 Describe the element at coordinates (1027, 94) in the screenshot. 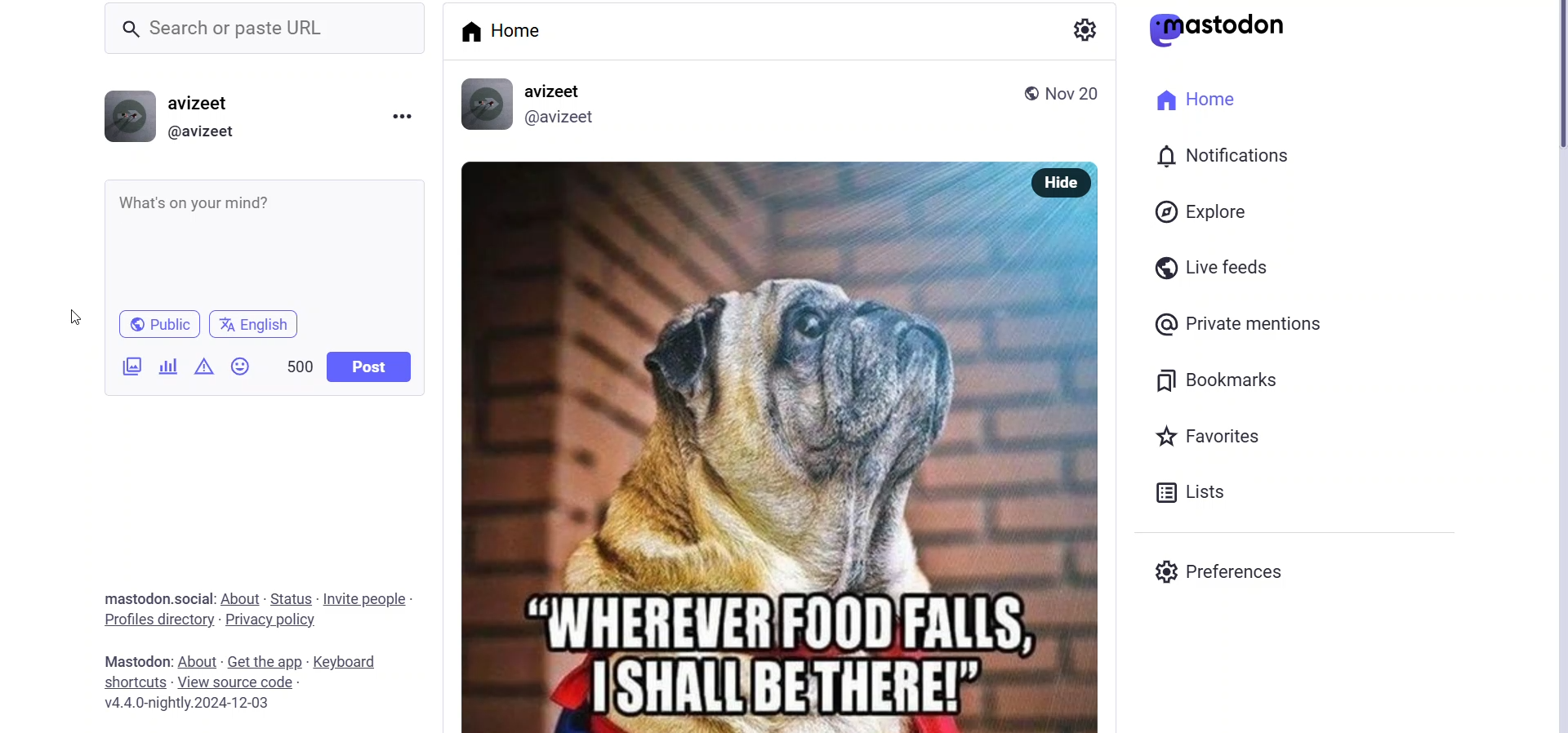

I see `global post` at that location.